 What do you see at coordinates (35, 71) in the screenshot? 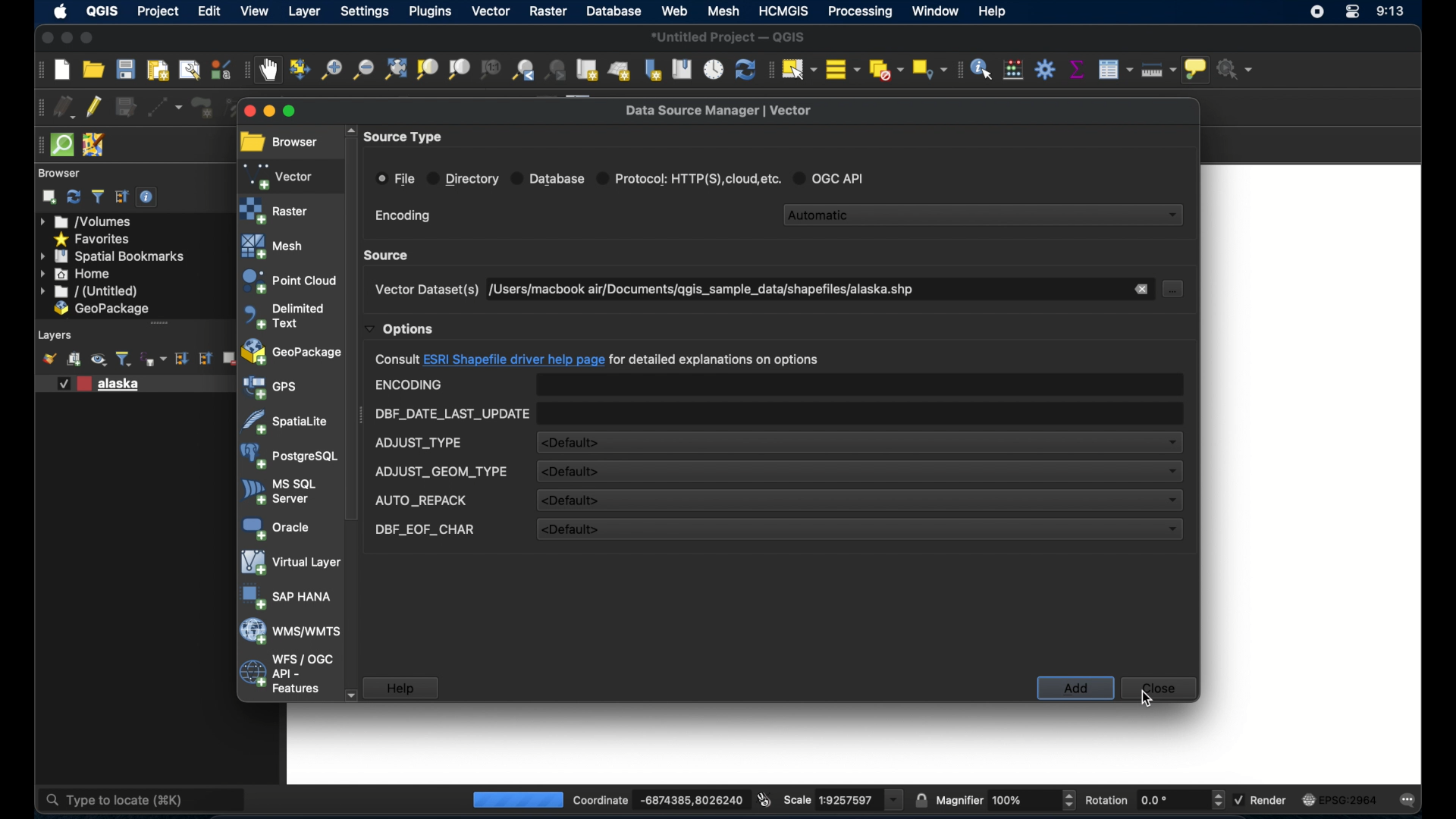
I see `project toolbar` at bounding box center [35, 71].